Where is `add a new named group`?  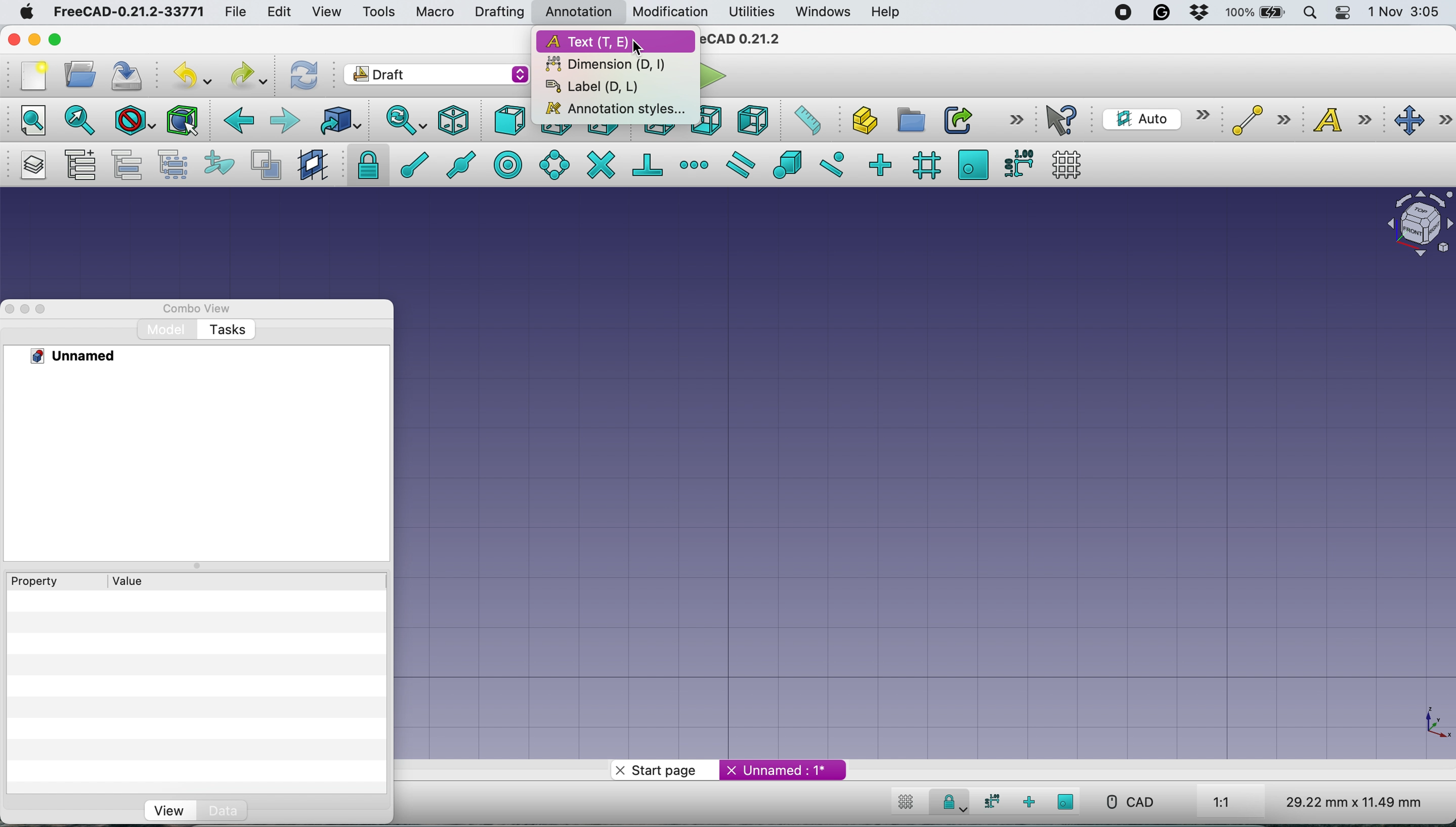 add a new named group is located at coordinates (78, 166).